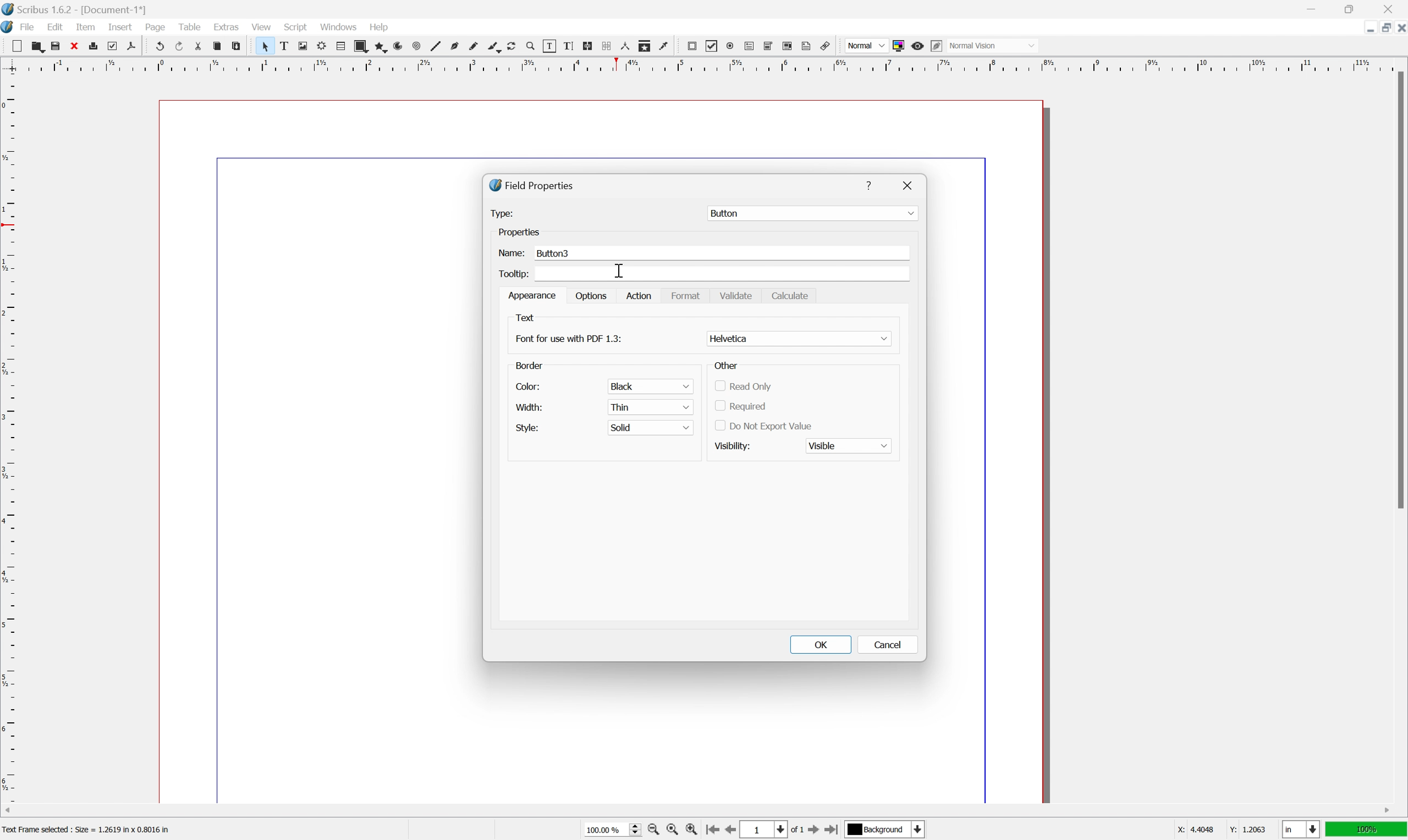  I want to click on save, so click(54, 46).